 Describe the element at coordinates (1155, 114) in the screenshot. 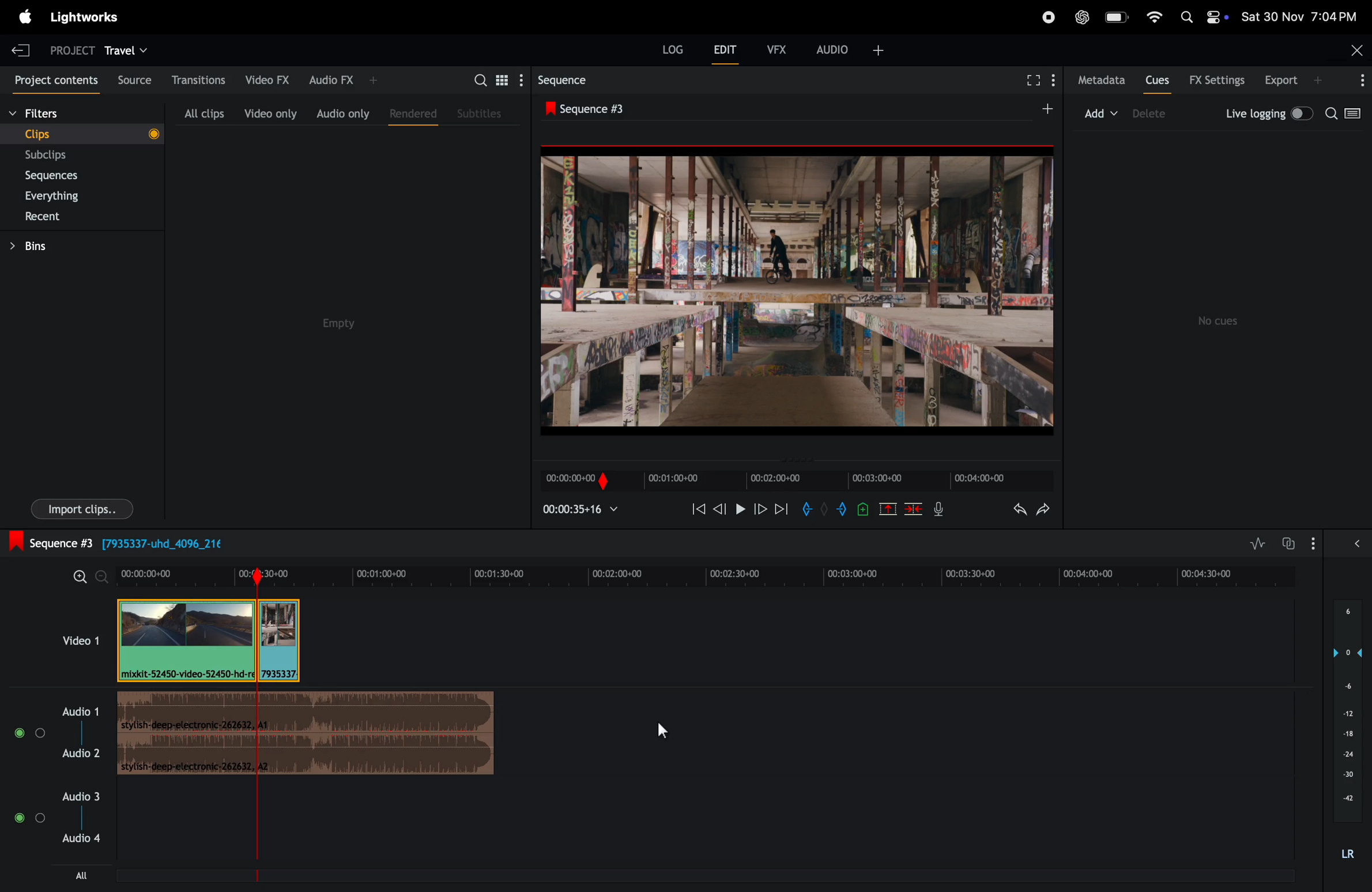

I see `delete` at that location.